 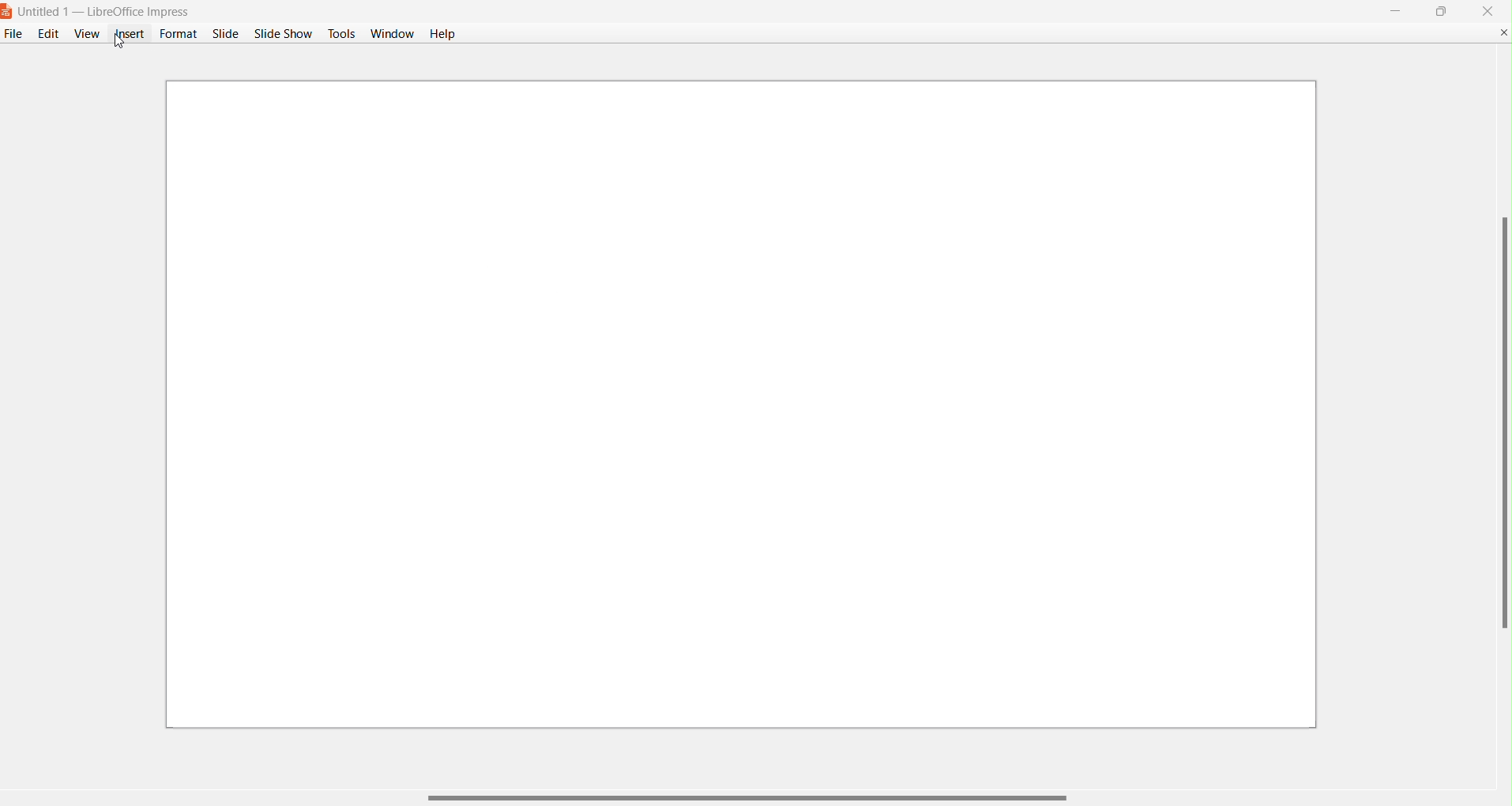 I want to click on Format, so click(x=179, y=33).